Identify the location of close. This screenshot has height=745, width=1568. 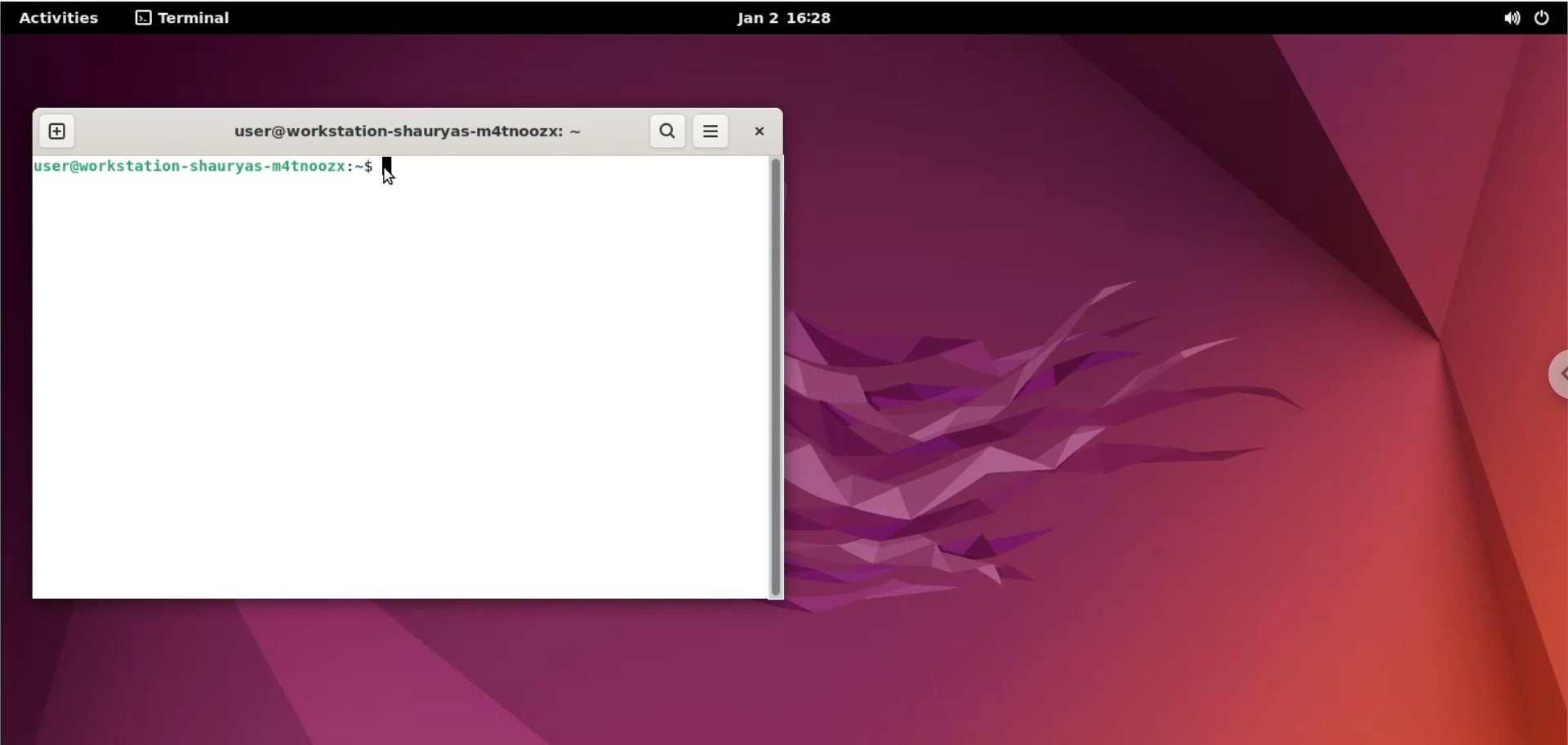
(758, 132).